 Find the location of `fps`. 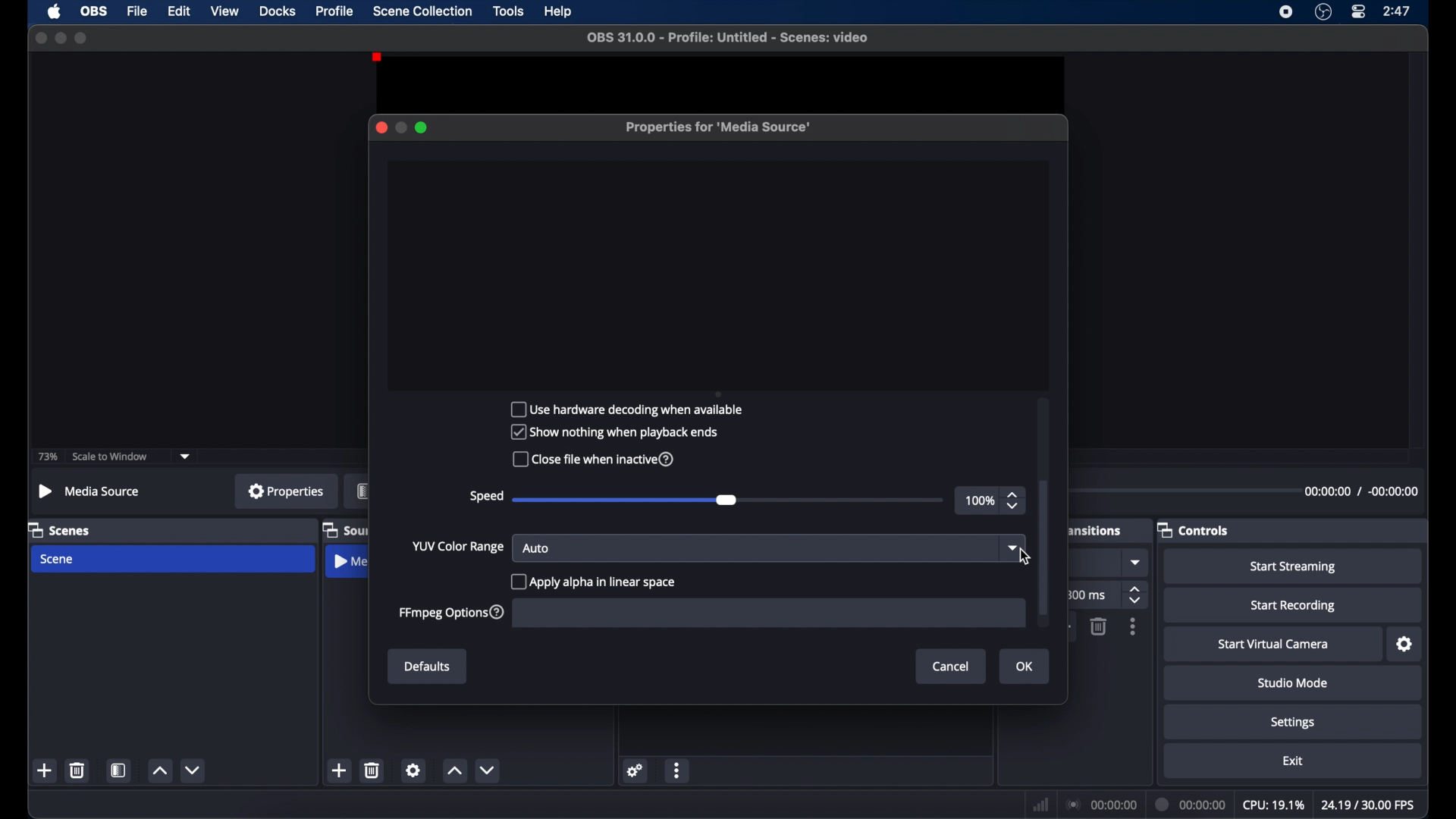

fps is located at coordinates (1368, 804).